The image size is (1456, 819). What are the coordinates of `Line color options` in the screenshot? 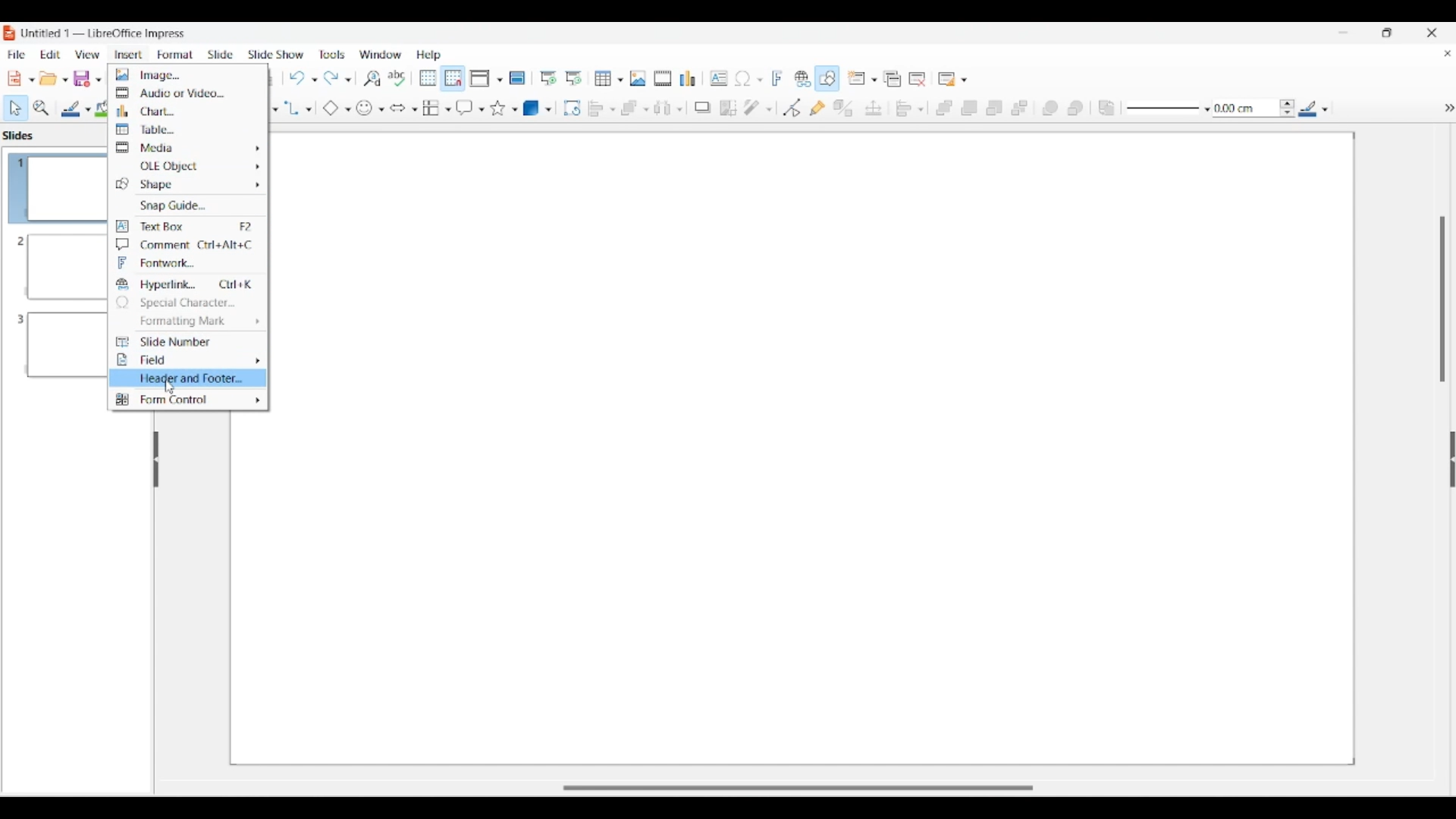 It's located at (1313, 108).